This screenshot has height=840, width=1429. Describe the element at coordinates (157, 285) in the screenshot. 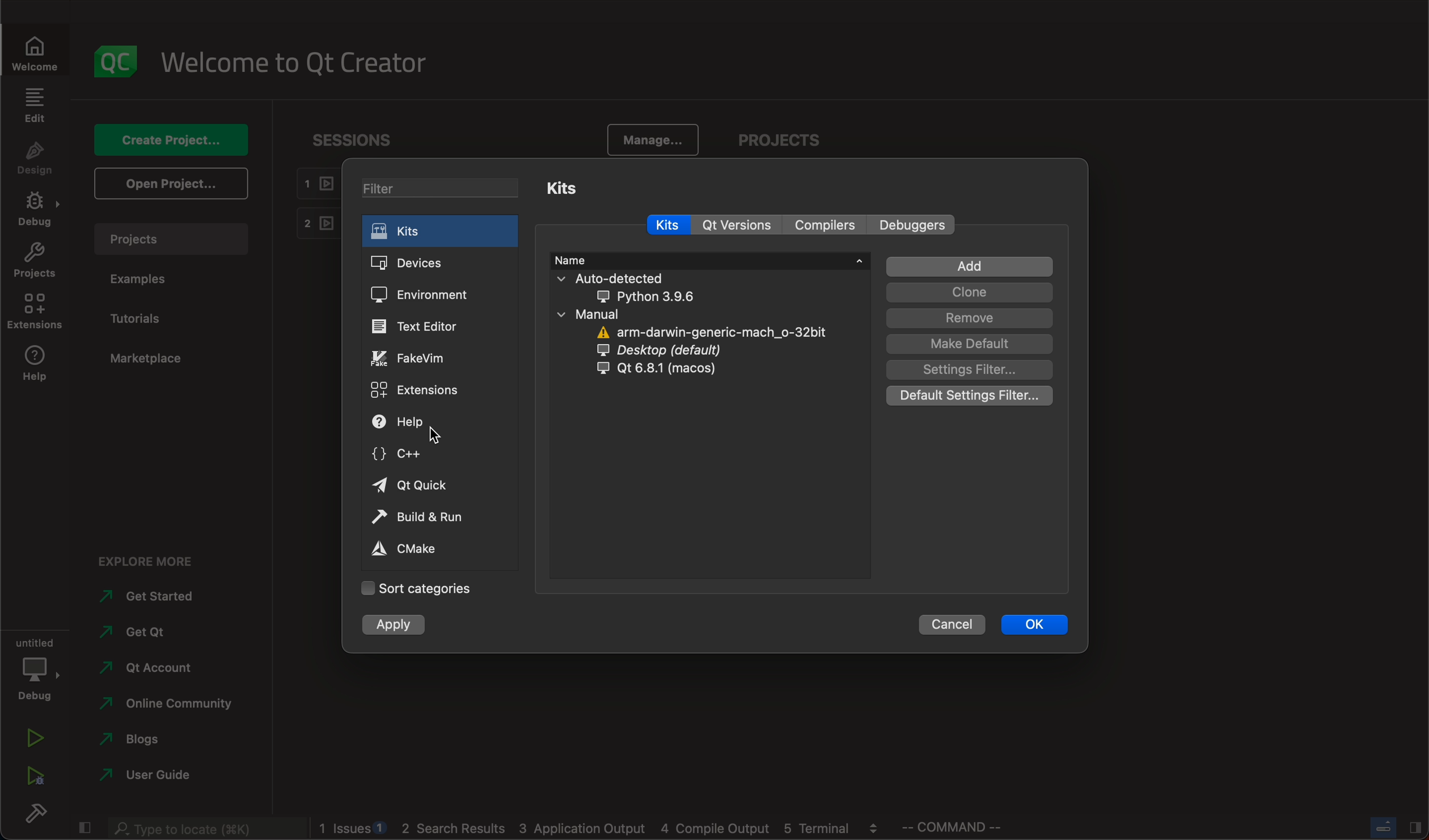

I see `examples` at that location.